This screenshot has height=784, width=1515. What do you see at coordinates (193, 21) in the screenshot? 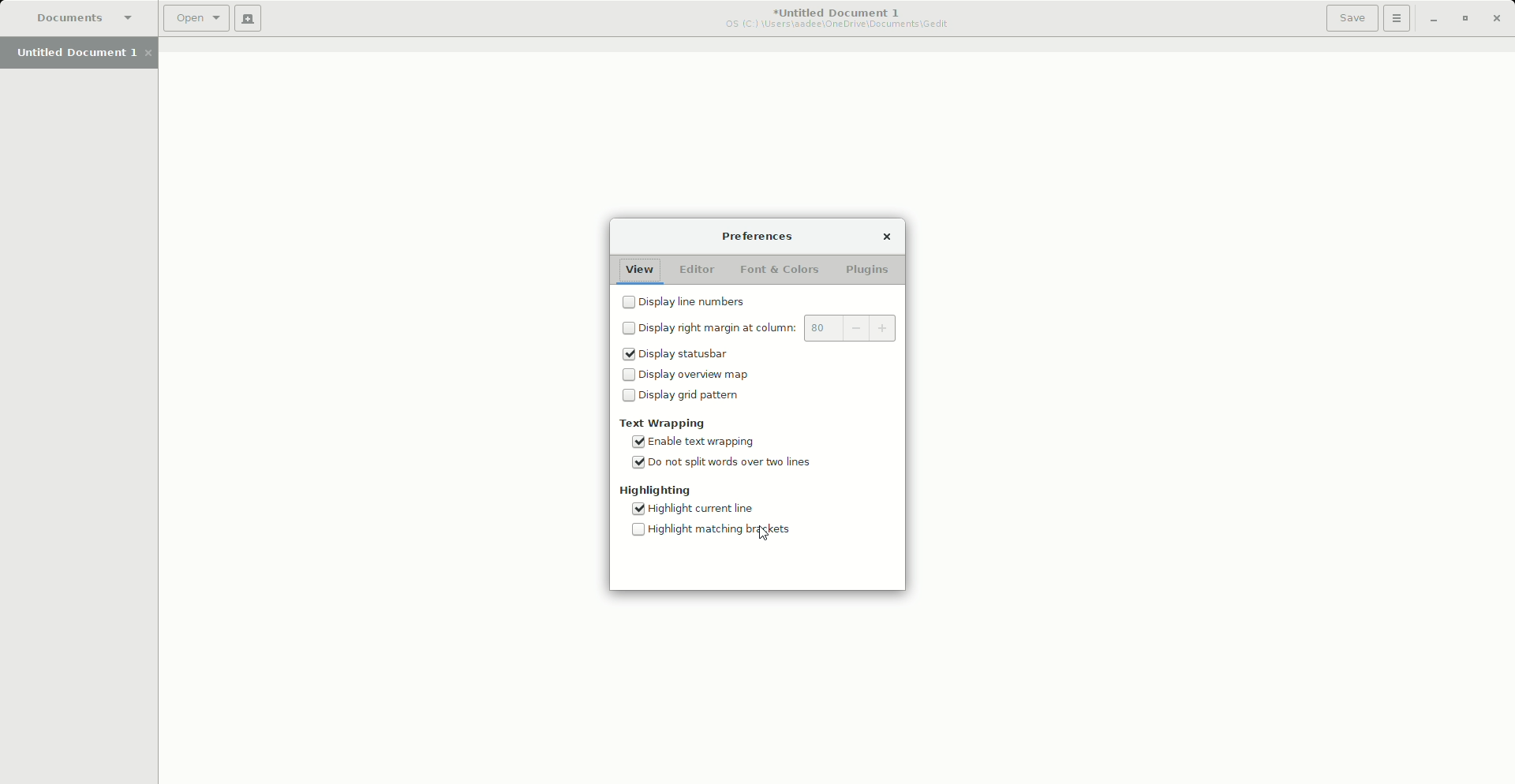
I see `Open` at bounding box center [193, 21].